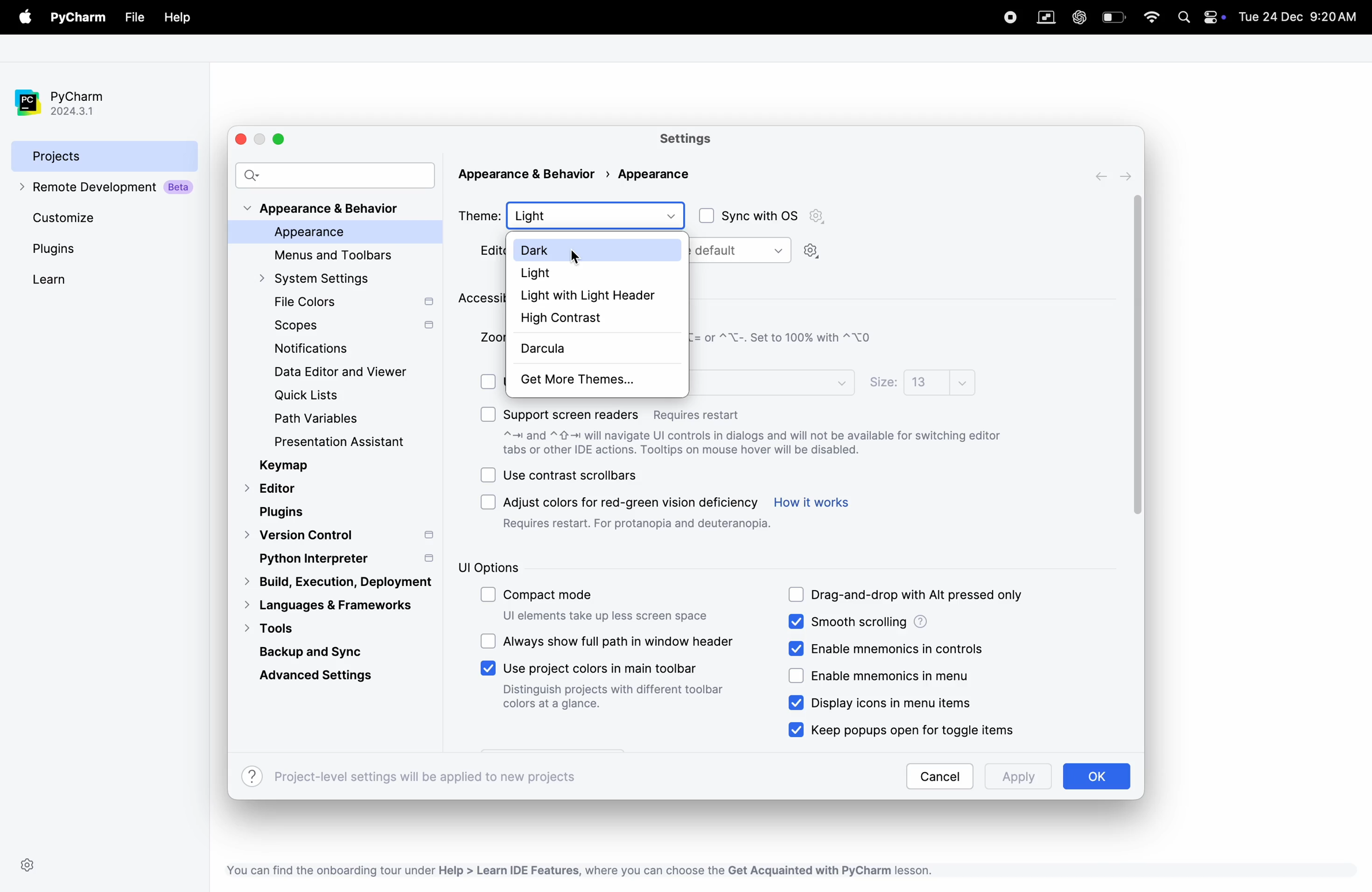 The width and height of the screenshot is (1372, 892). Describe the element at coordinates (797, 729) in the screenshot. I see `checkbox` at that location.